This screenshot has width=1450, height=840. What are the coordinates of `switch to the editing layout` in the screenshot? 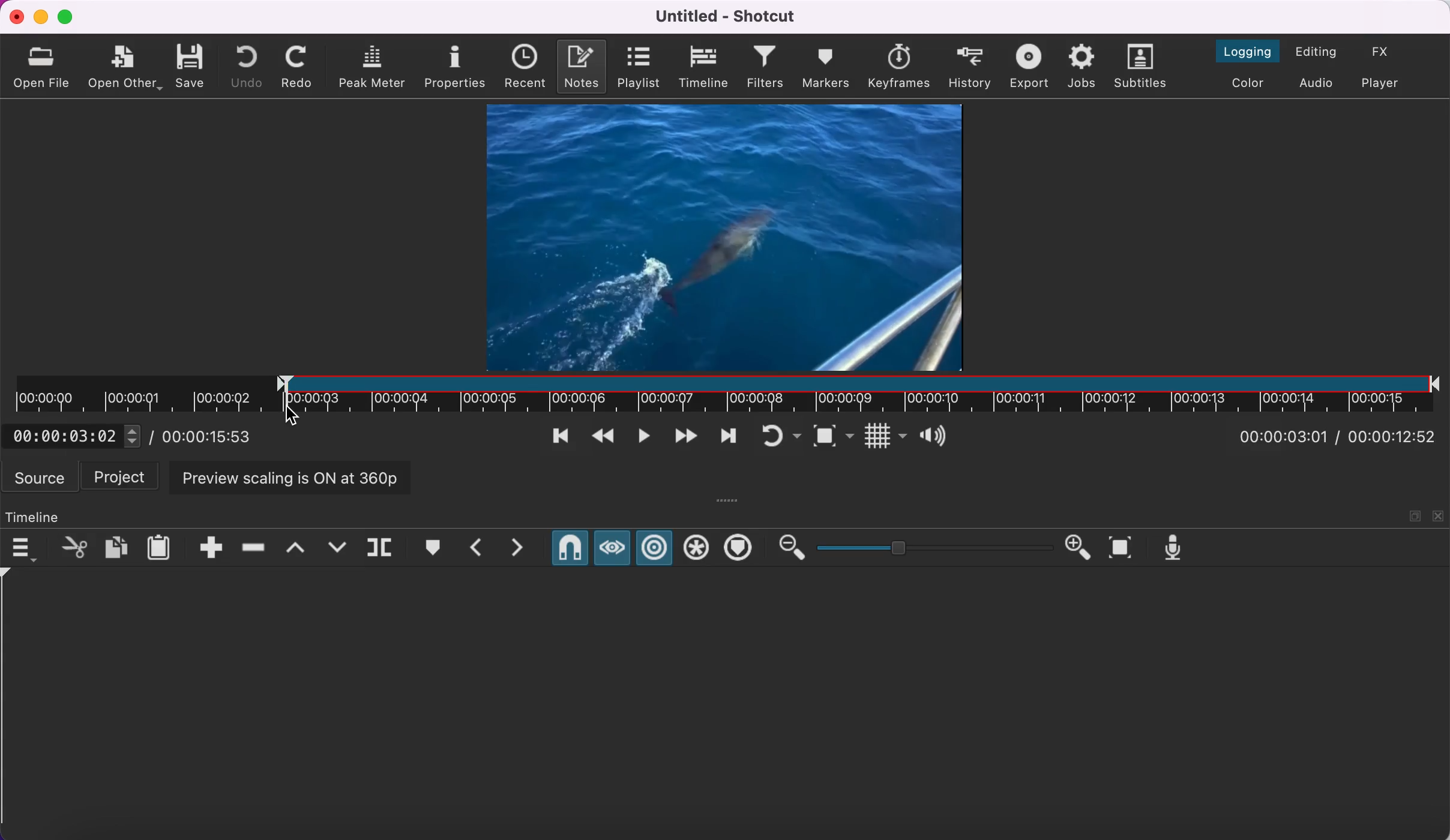 It's located at (1320, 51).